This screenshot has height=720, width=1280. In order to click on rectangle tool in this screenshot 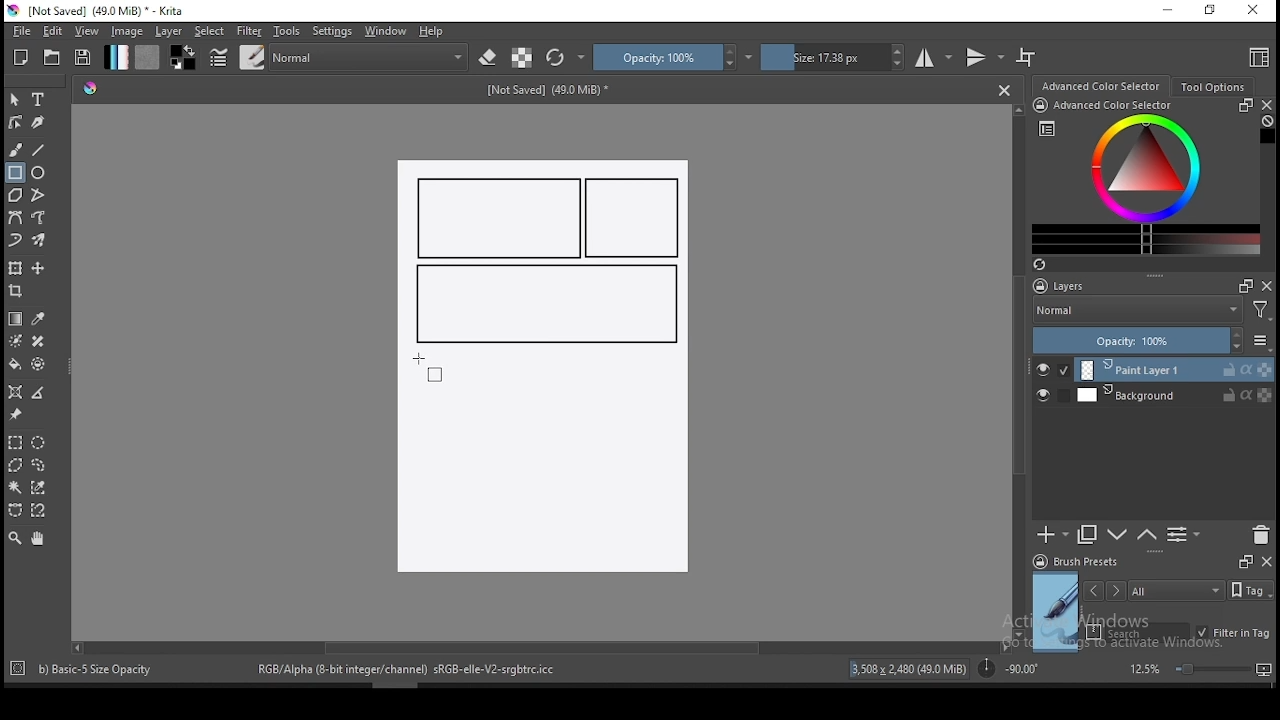, I will do `click(15, 173)`.